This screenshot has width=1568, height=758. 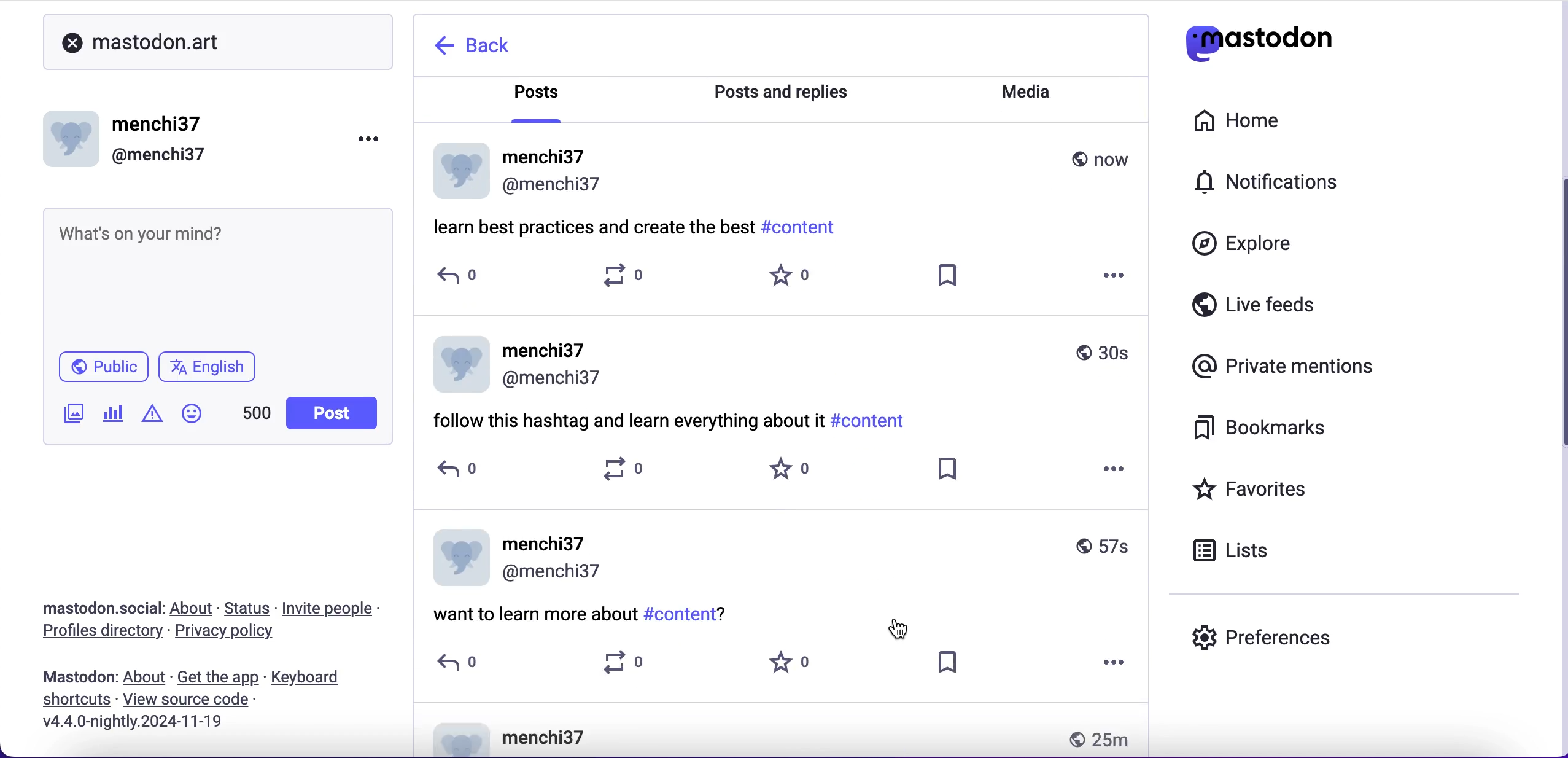 What do you see at coordinates (781, 92) in the screenshot?
I see `posts and replies` at bounding box center [781, 92].